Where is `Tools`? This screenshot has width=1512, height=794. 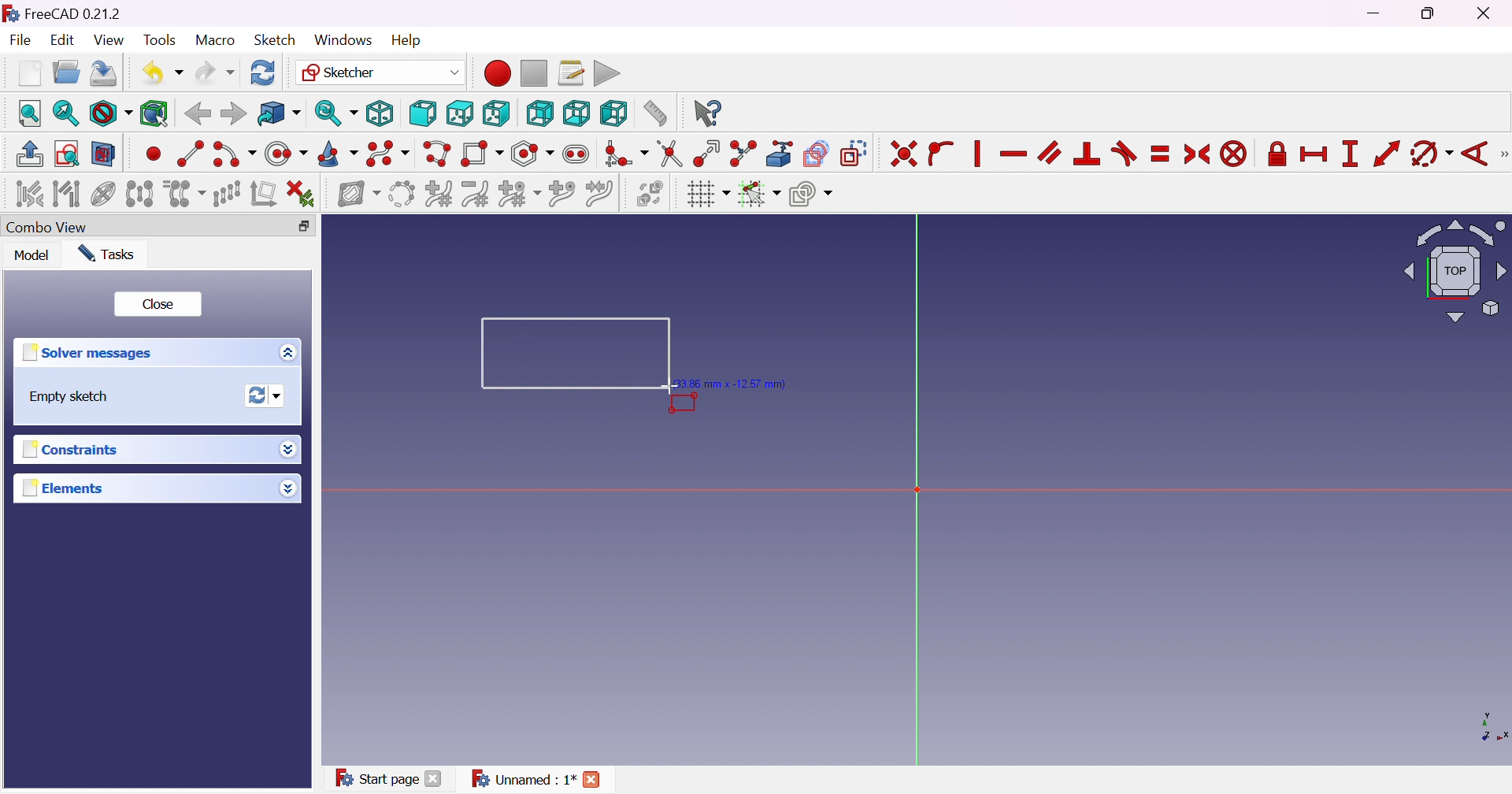
Tools is located at coordinates (158, 37).